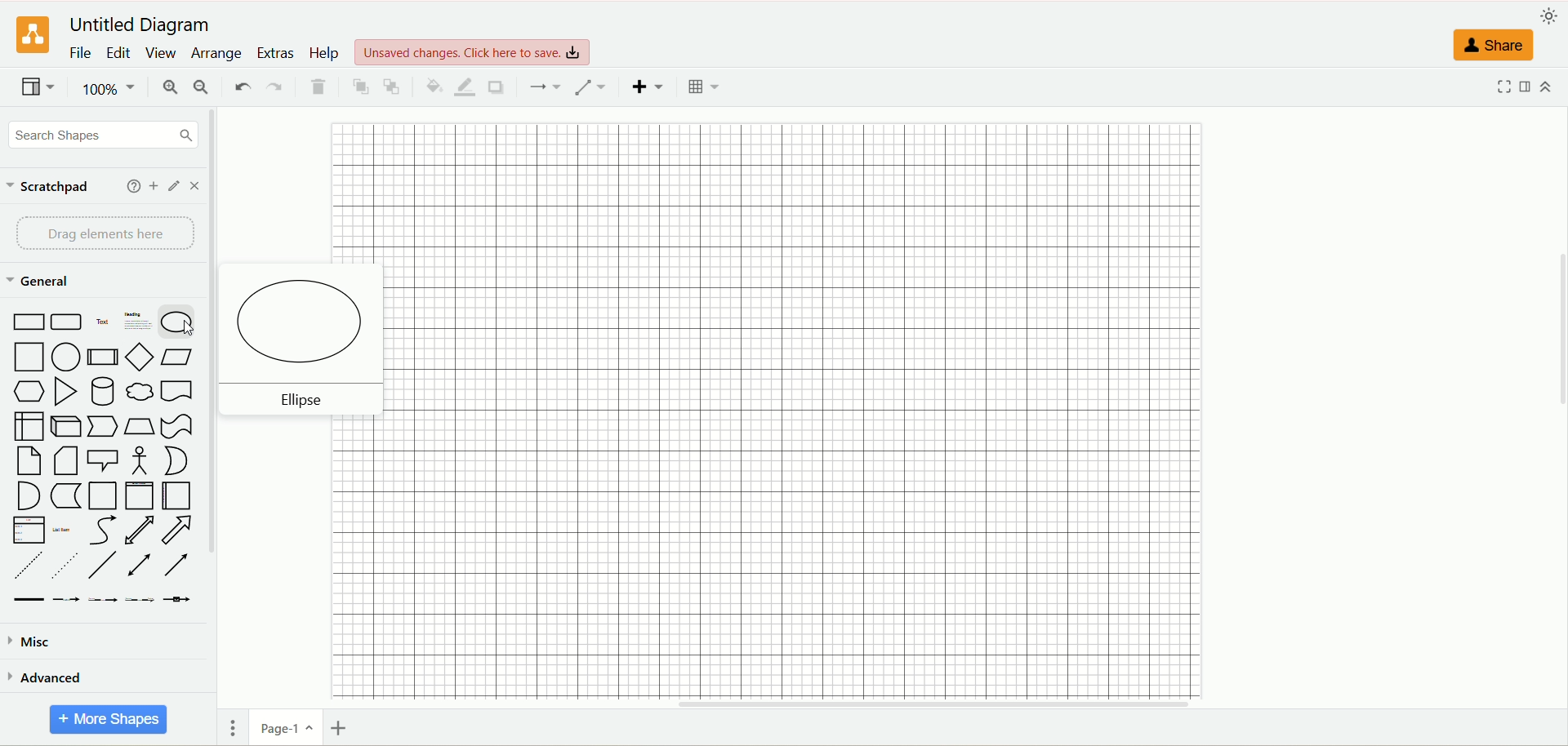 This screenshot has width=1568, height=746. I want to click on fill color, so click(432, 87).